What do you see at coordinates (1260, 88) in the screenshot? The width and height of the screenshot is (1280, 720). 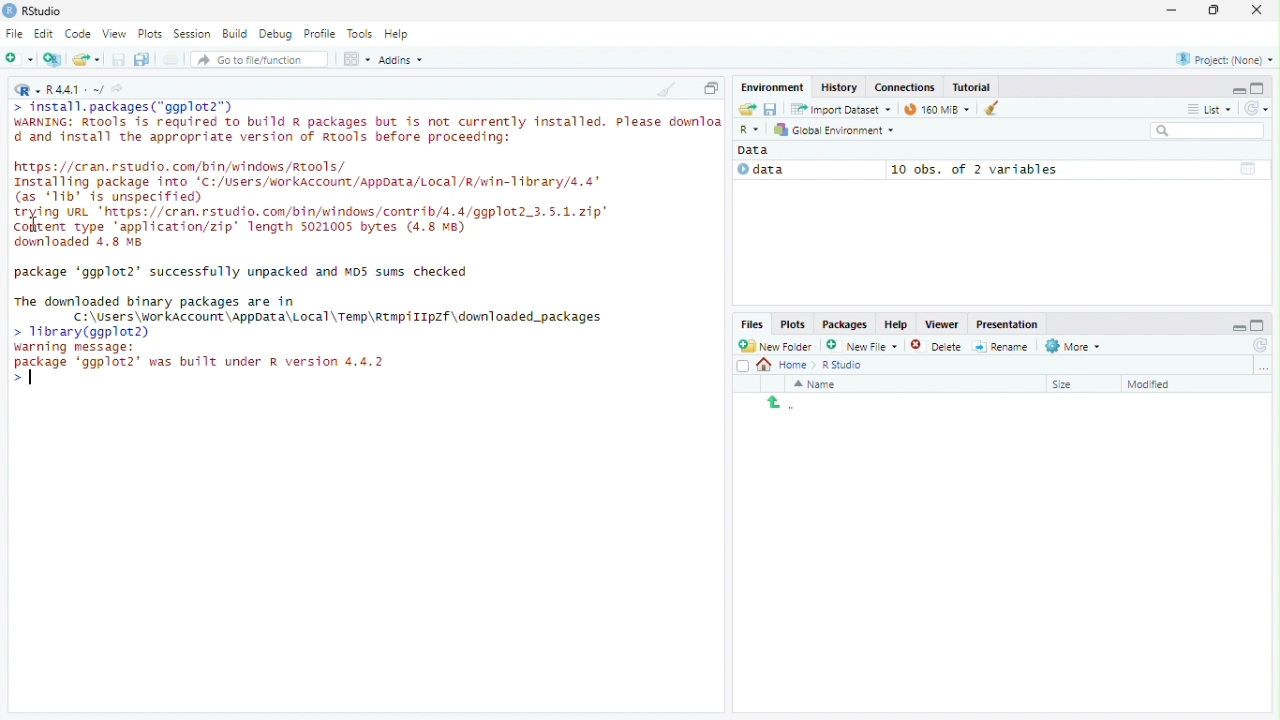 I see `maximize` at bounding box center [1260, 88].